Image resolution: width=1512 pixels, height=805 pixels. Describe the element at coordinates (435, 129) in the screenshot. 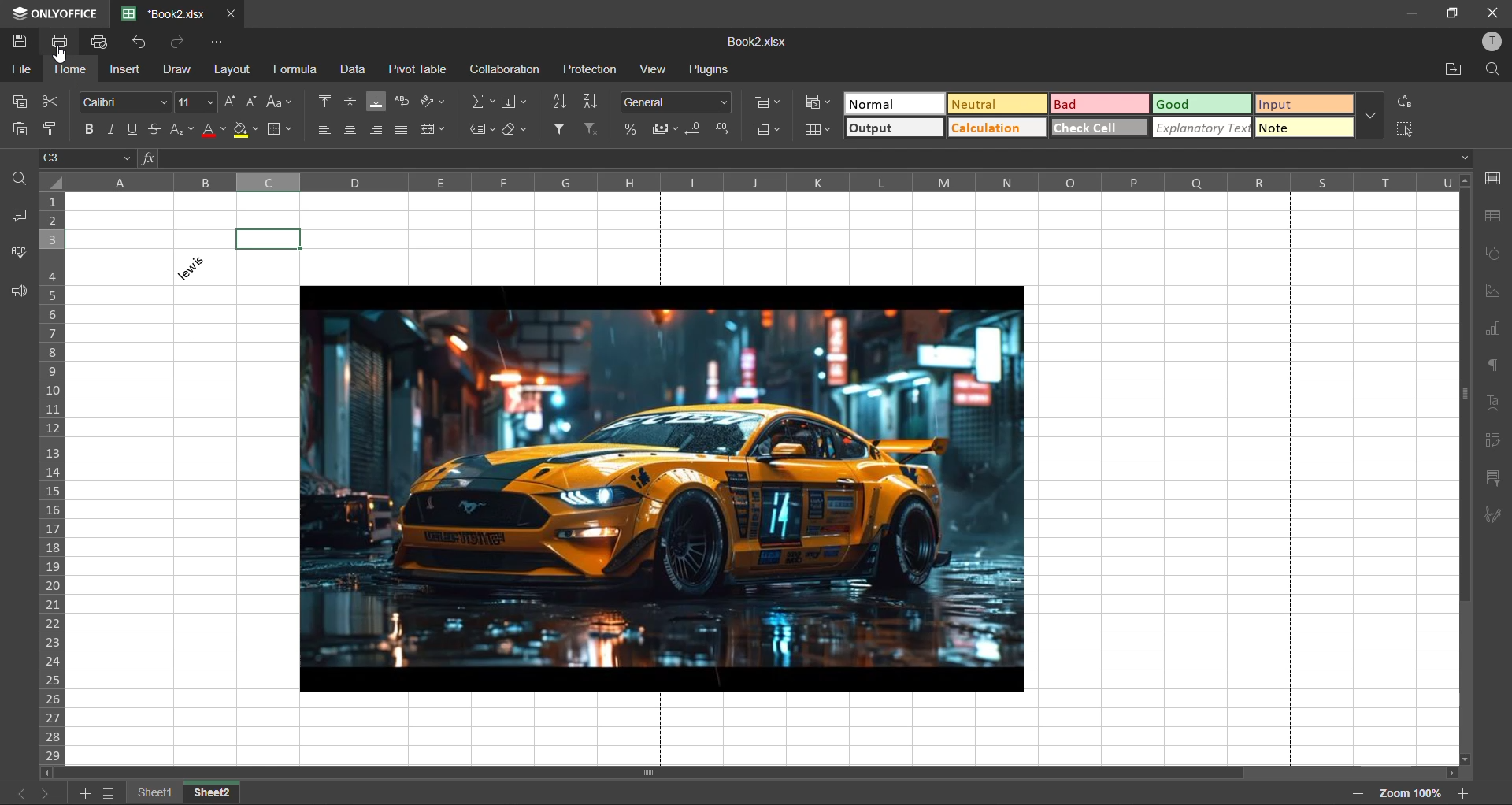

I see `merge and center` at that location.